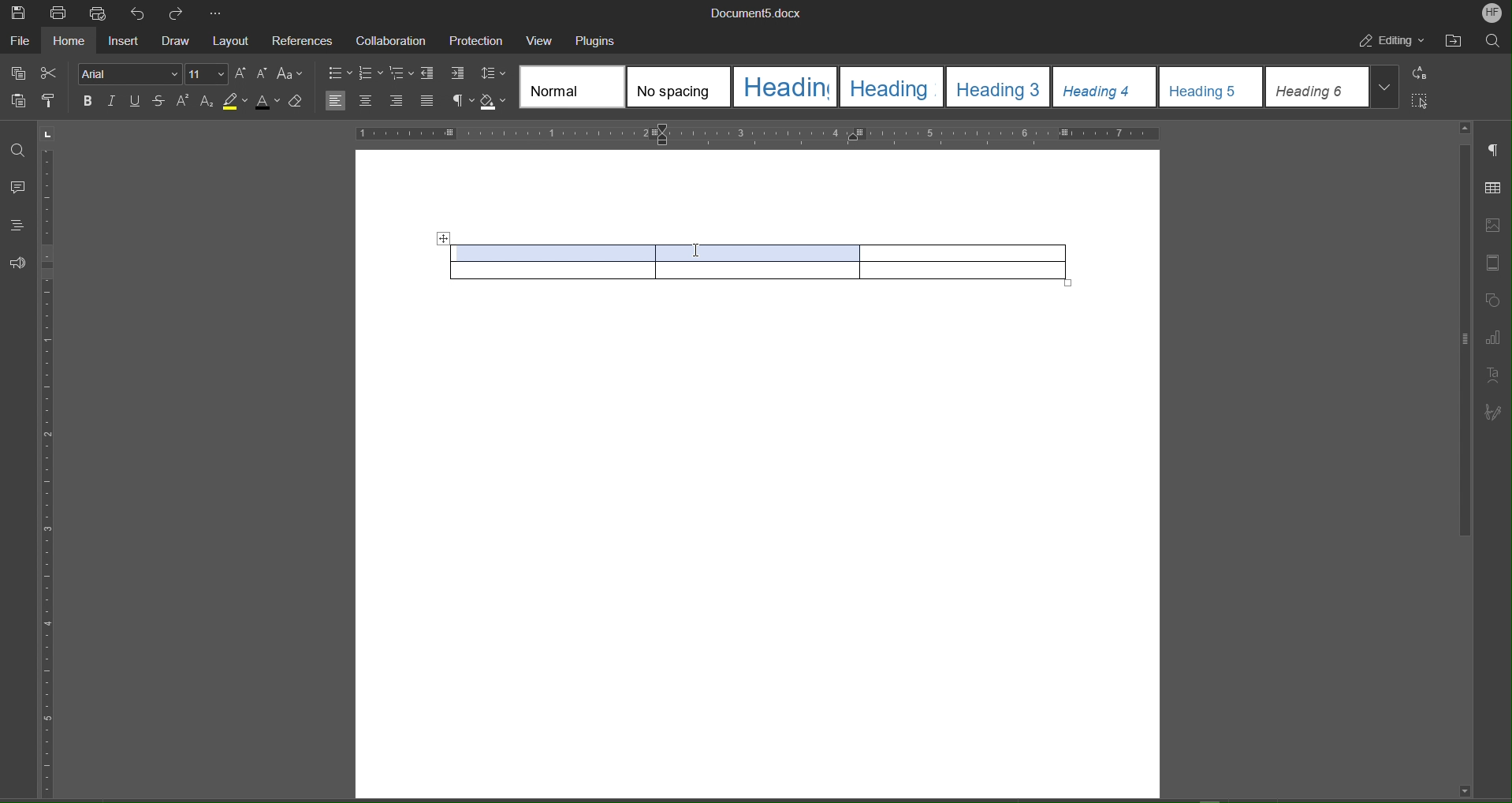 The width and height of the screenshot is (1512, 803). I want to click on Increase Indent, so click(459, 74).